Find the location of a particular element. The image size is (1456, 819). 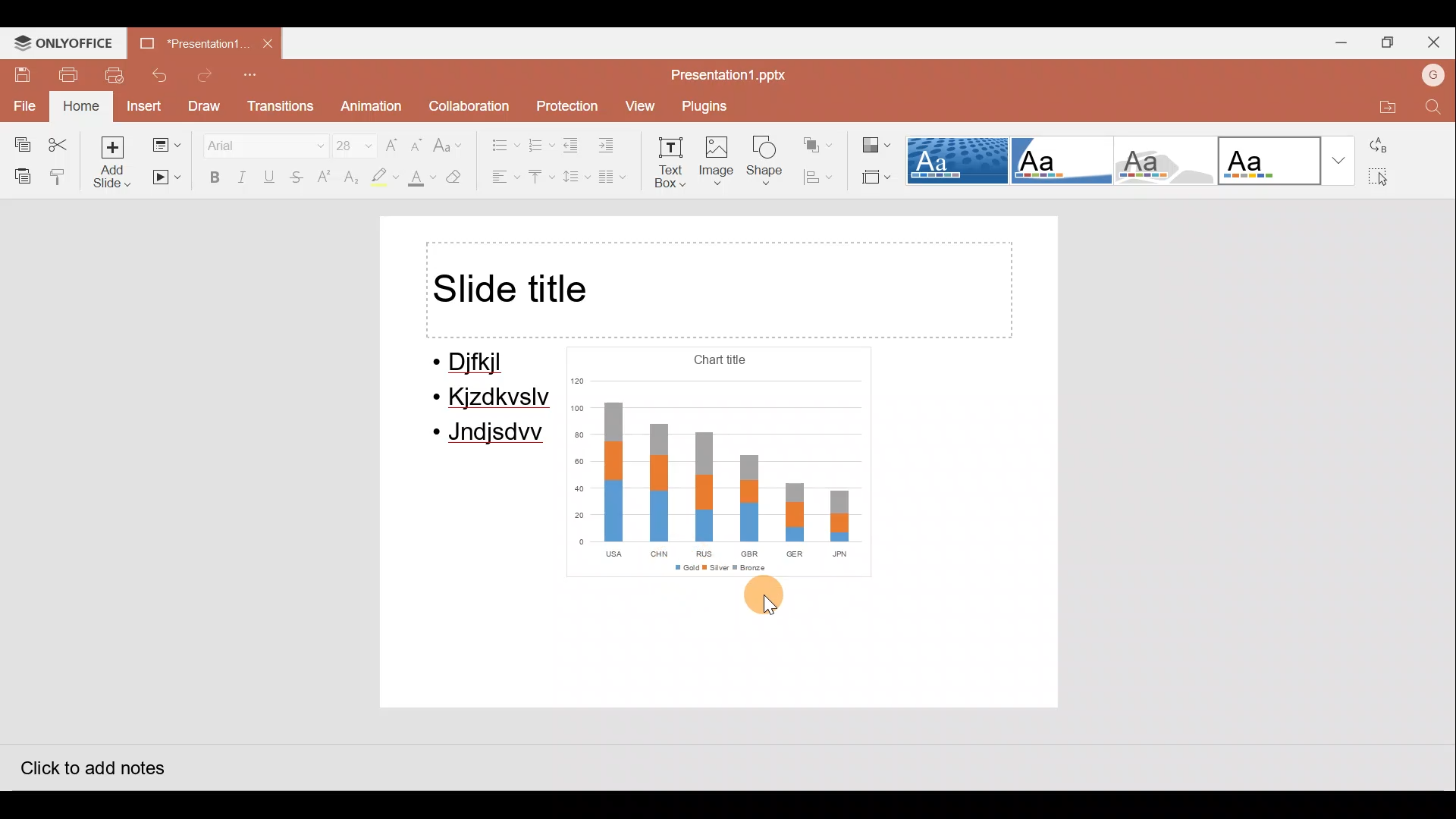

Minimize is located at coordinates (1338, 45).